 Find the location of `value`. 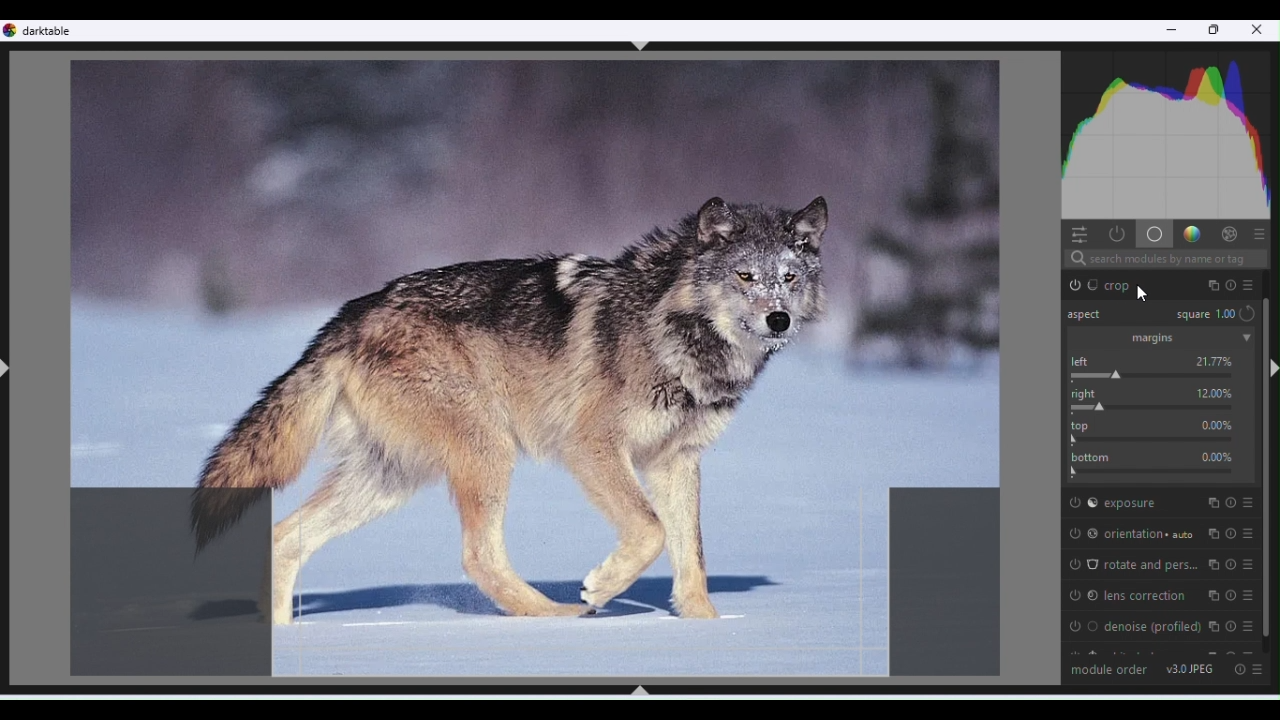

value is located at coordinates (1215, 391).